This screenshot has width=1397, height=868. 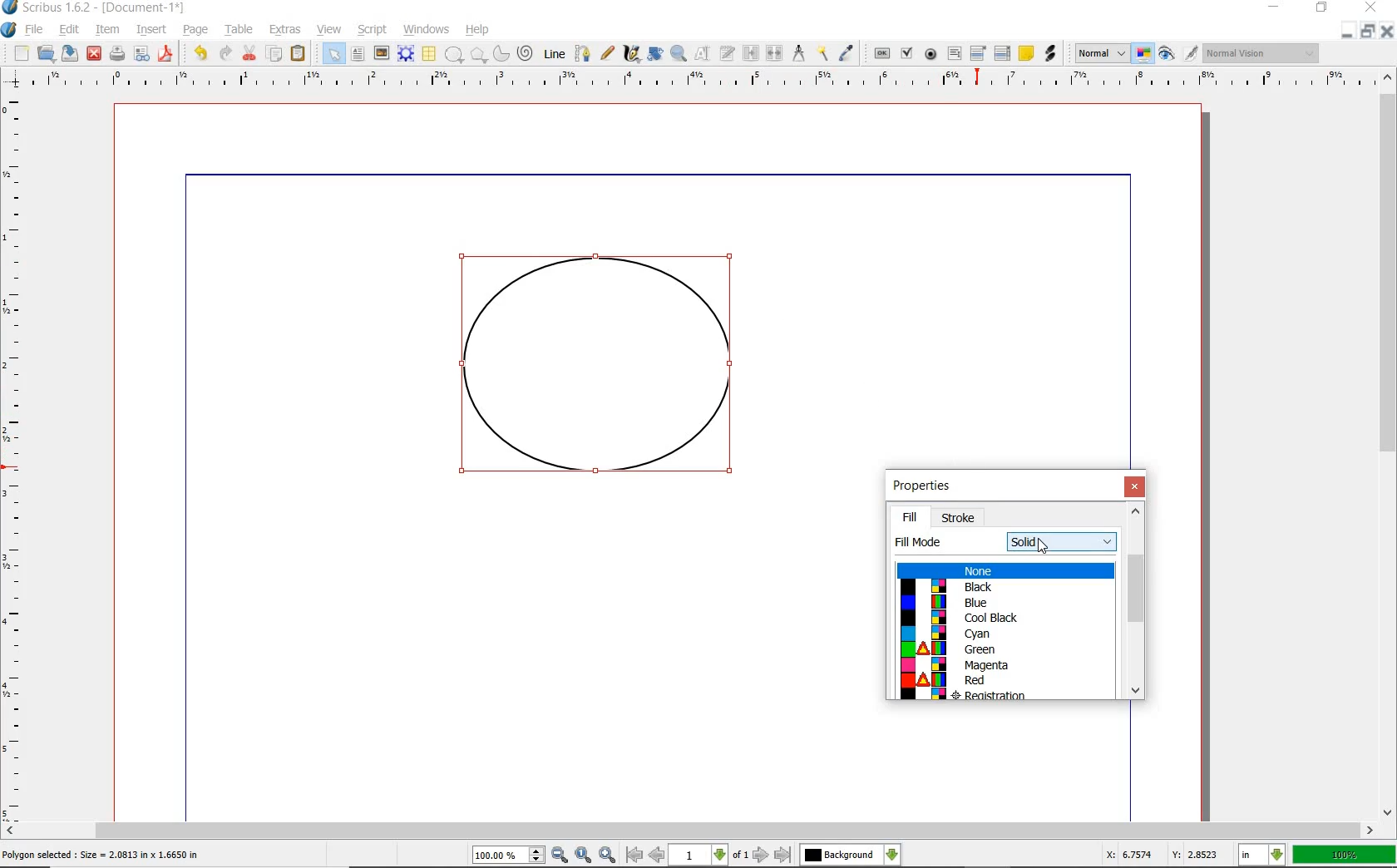 What do you see at coordinates (977, 52) in the screenshot?
I see `PDF COMBO BOX` at bounding box center [977, 52].